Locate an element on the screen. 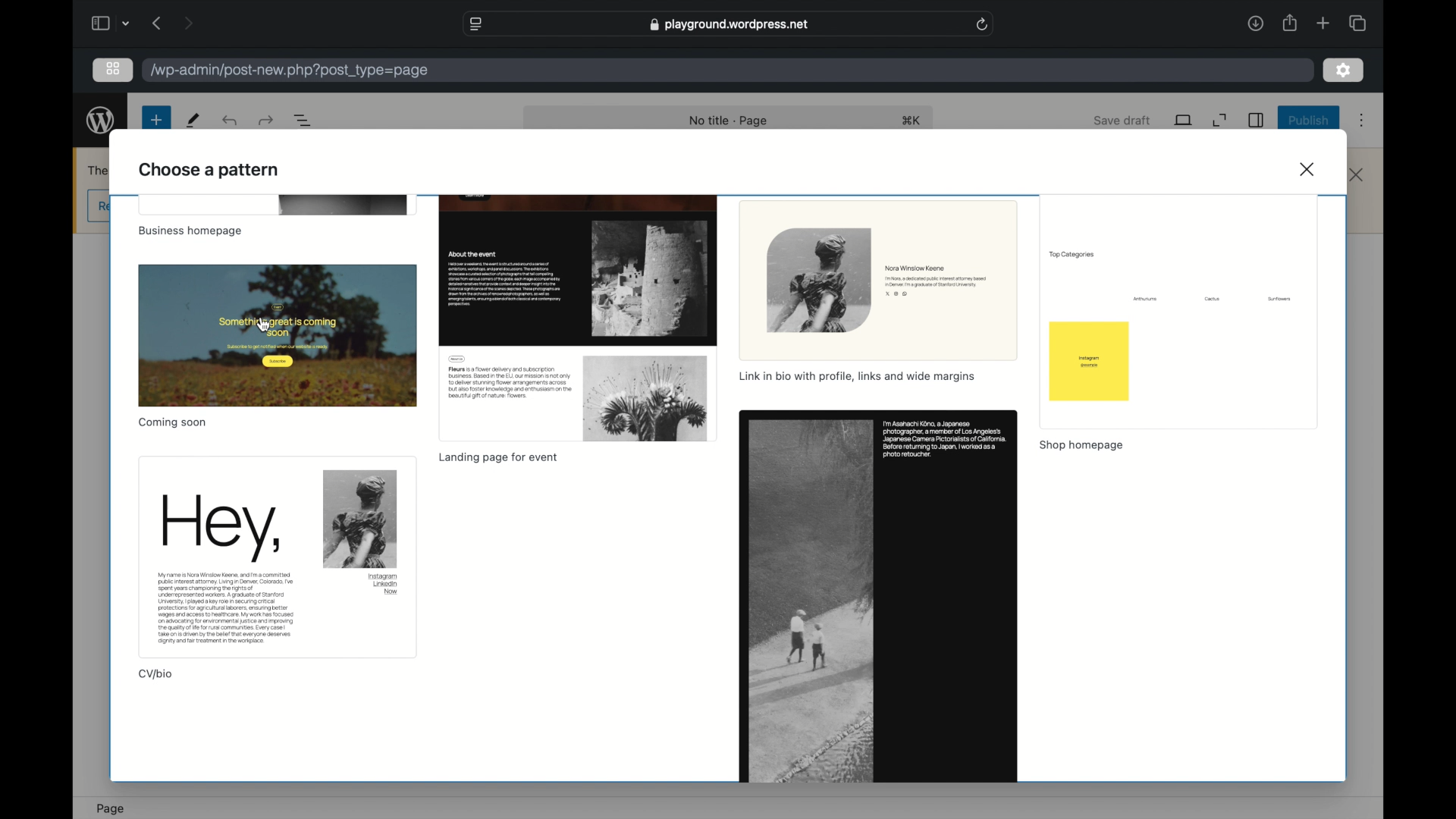 This screenshot has width=1456, height=819. next page is located at coordinates (188, 23).